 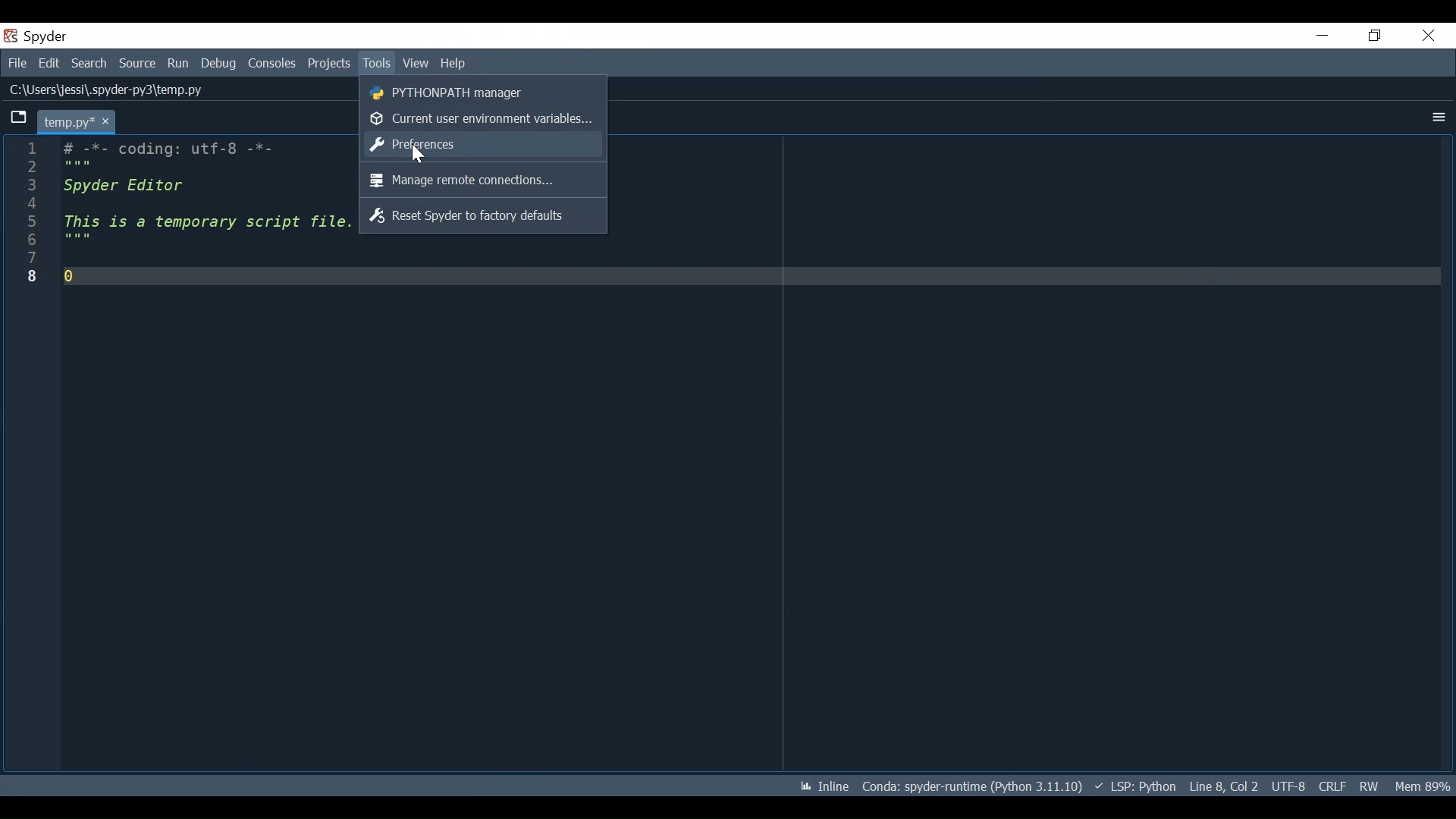 What do you see at coordinates (51, 63) in the screenshot?
I see `Edit` at bounding box center [51, 63].